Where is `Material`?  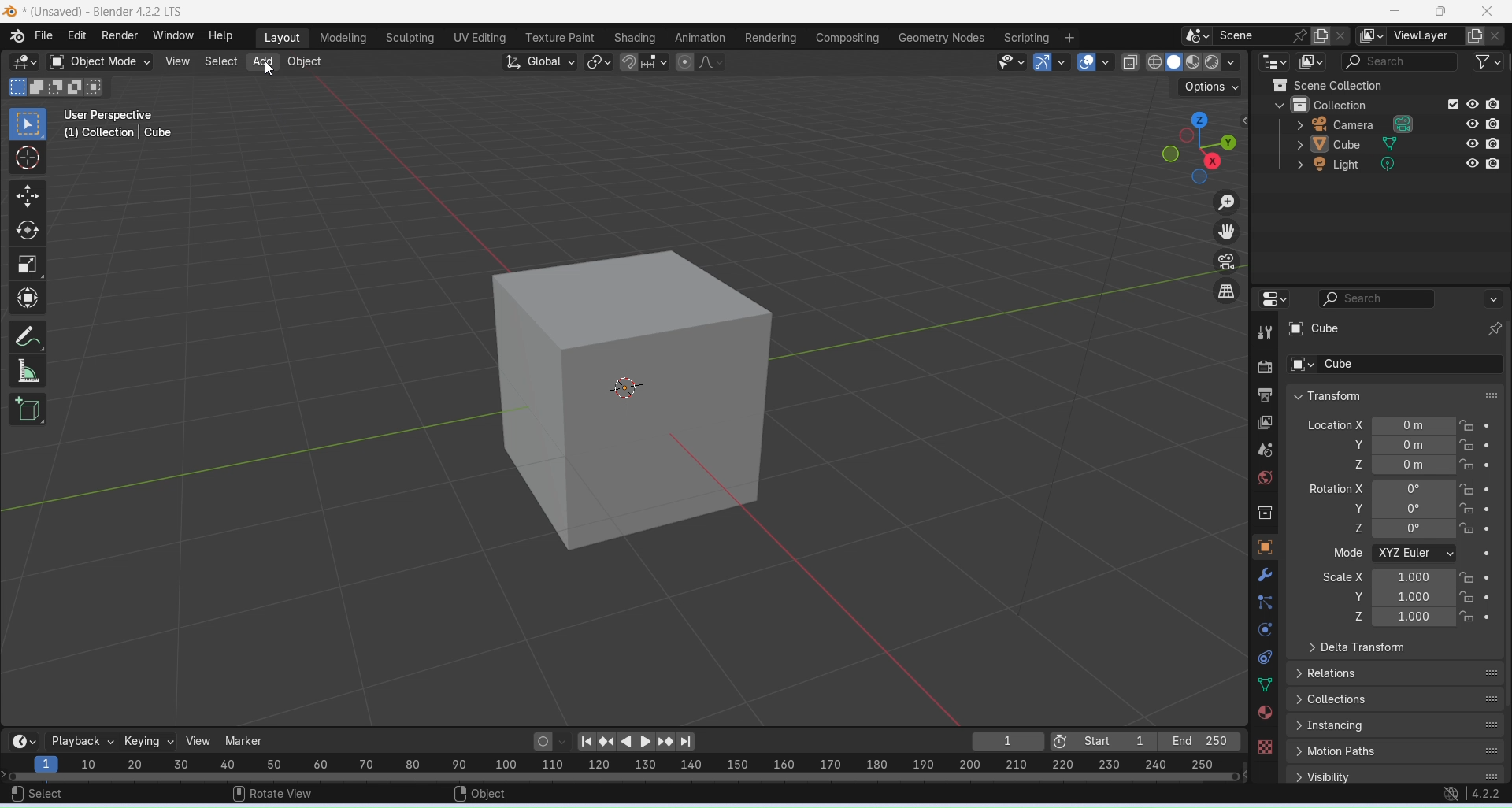 Material is located at coordinates (1264, 712).